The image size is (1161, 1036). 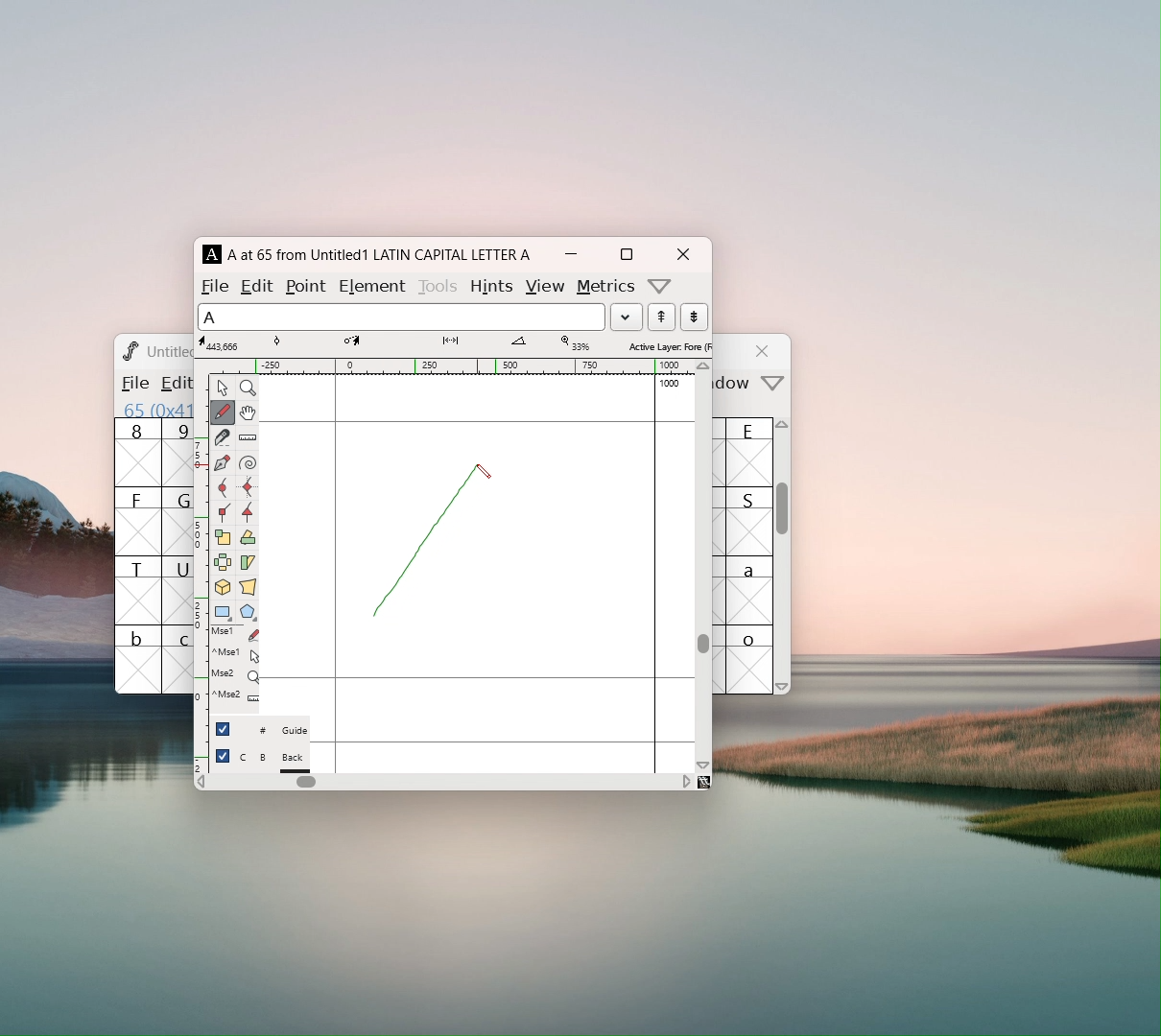 What do you see at coordinates (783, 518) in the screenshot?
I see `scrollbar` at bounding box center [783, 518].